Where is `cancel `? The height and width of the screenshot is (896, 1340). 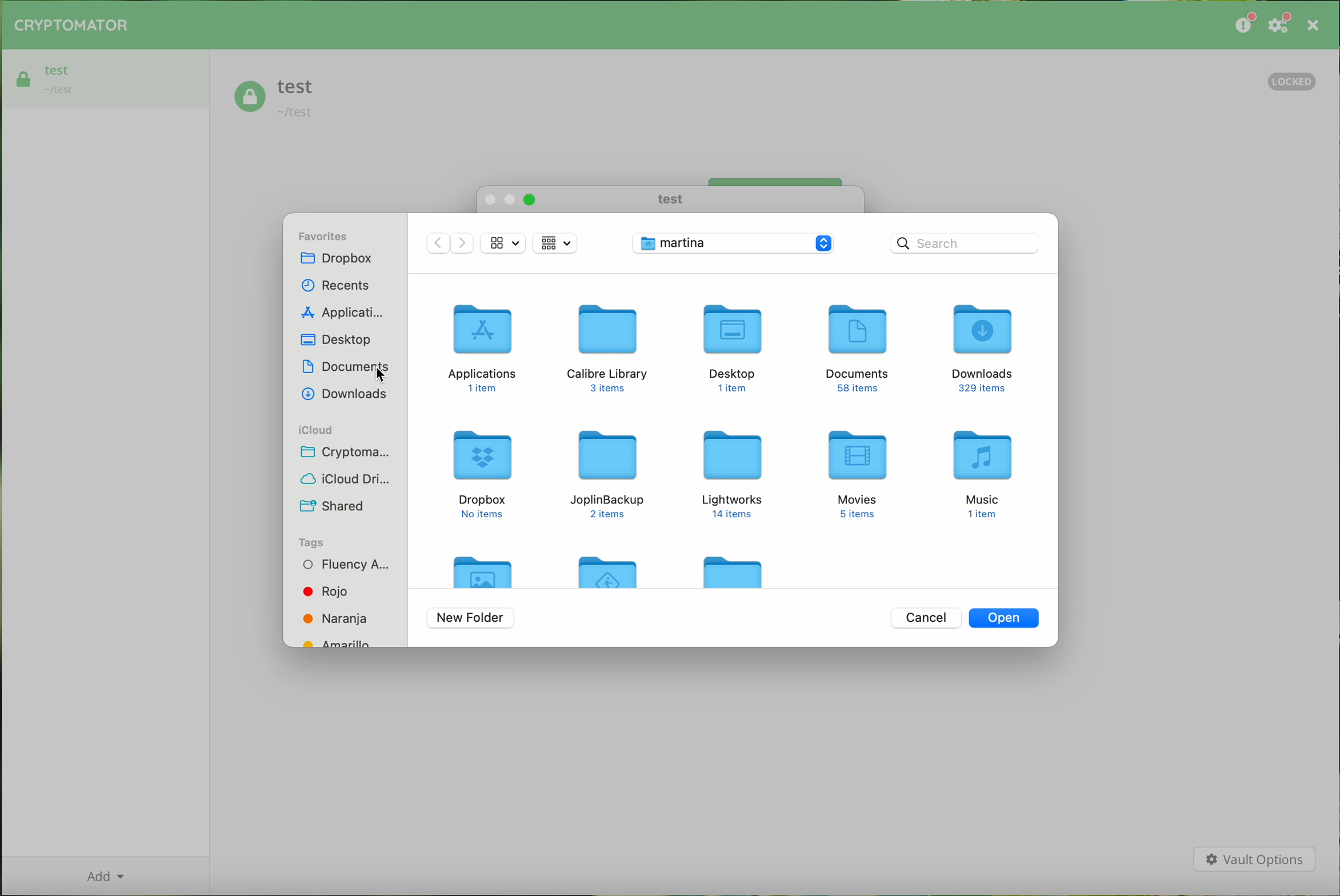
cancel  is located at coordinates (925, 617).